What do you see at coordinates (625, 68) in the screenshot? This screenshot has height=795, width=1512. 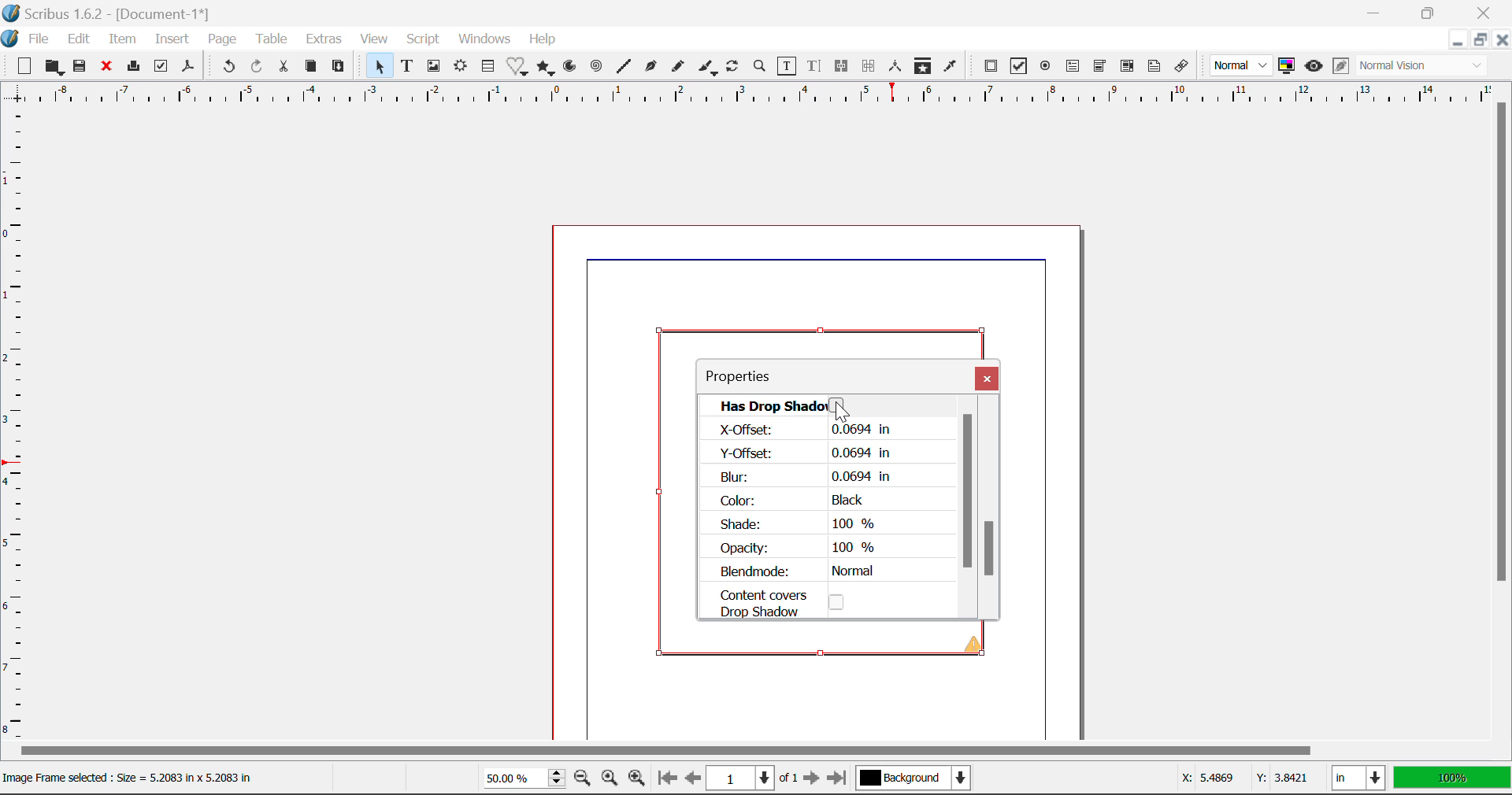 I see `Line` at bounding box center [625, 68].